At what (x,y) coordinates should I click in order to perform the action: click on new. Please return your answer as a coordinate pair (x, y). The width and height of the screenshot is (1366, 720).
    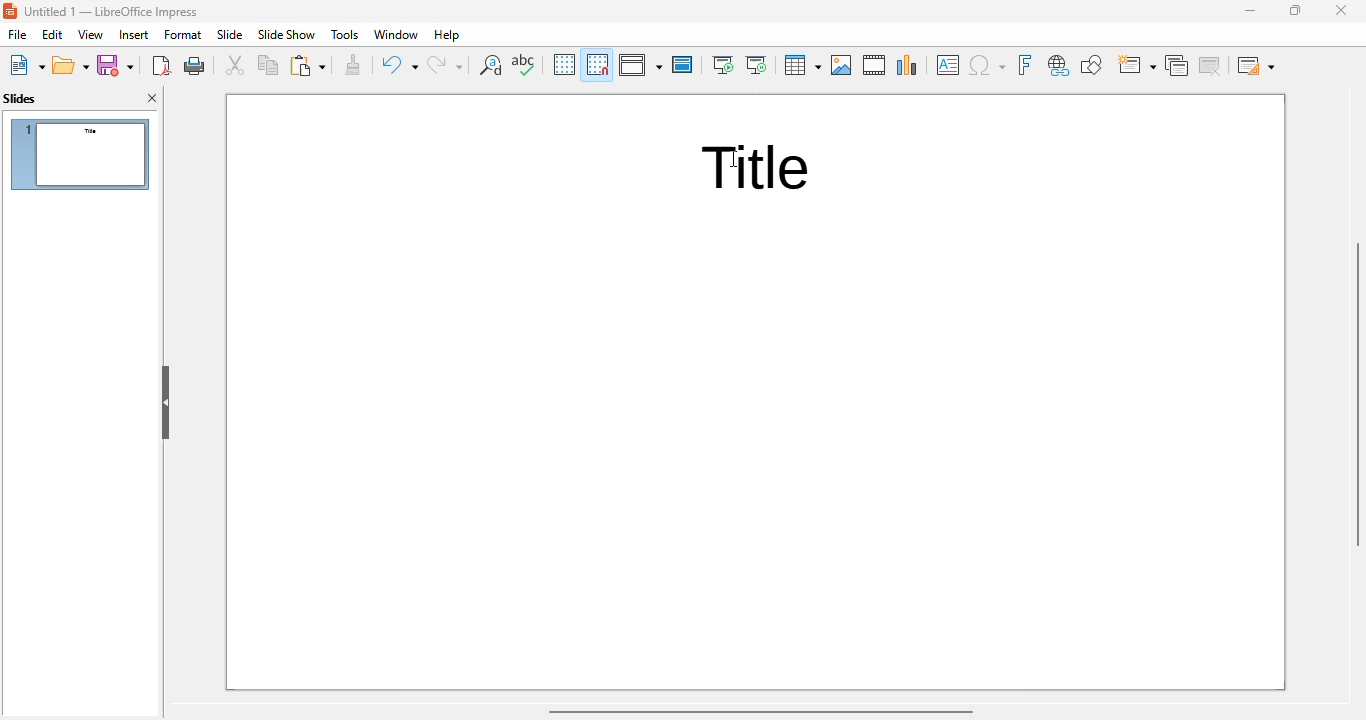
    Looking at the image, I should click on (25, 65).